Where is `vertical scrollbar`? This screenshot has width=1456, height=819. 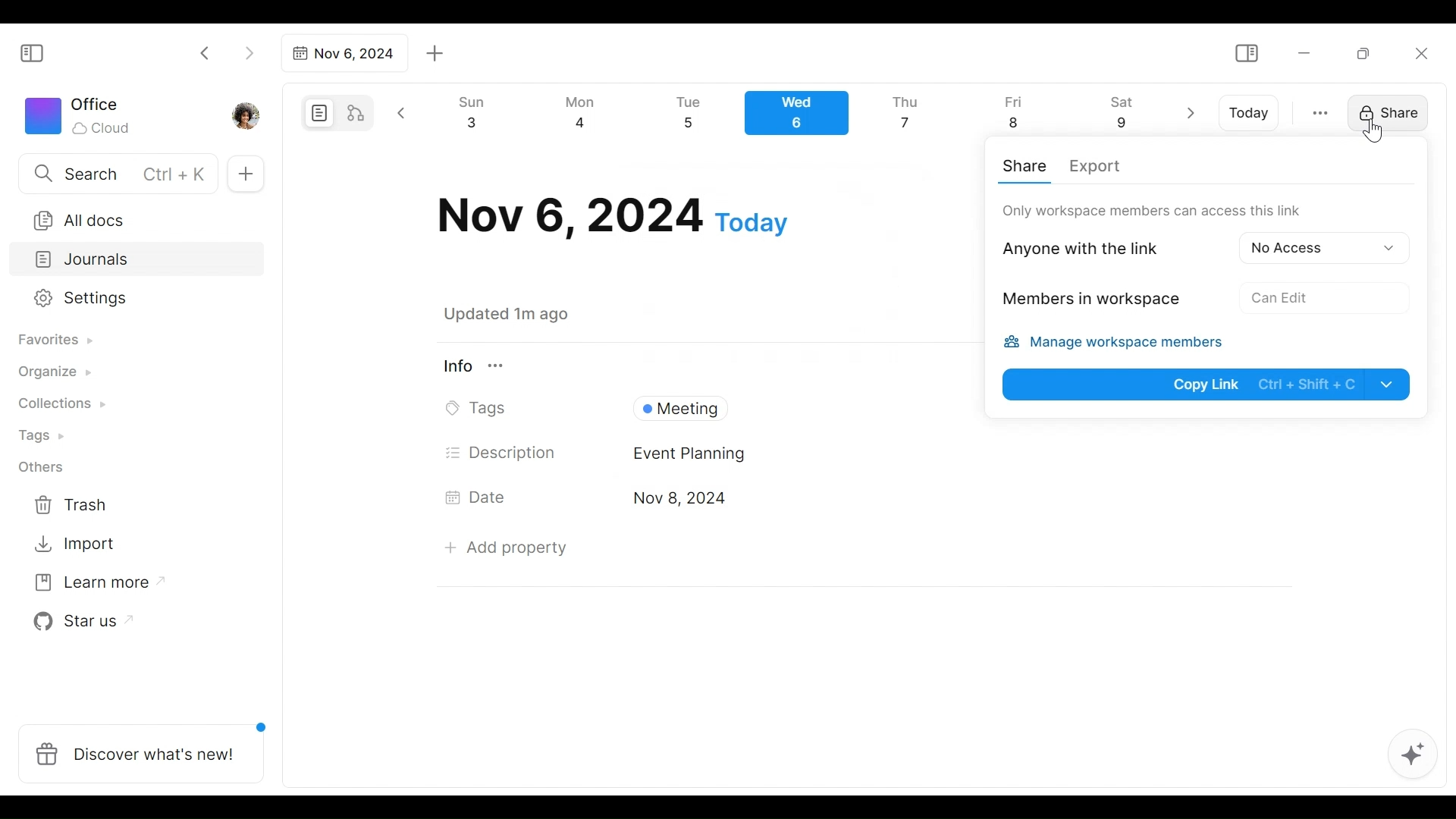
vertical scrollbar is located at coordinates (1442, 431).